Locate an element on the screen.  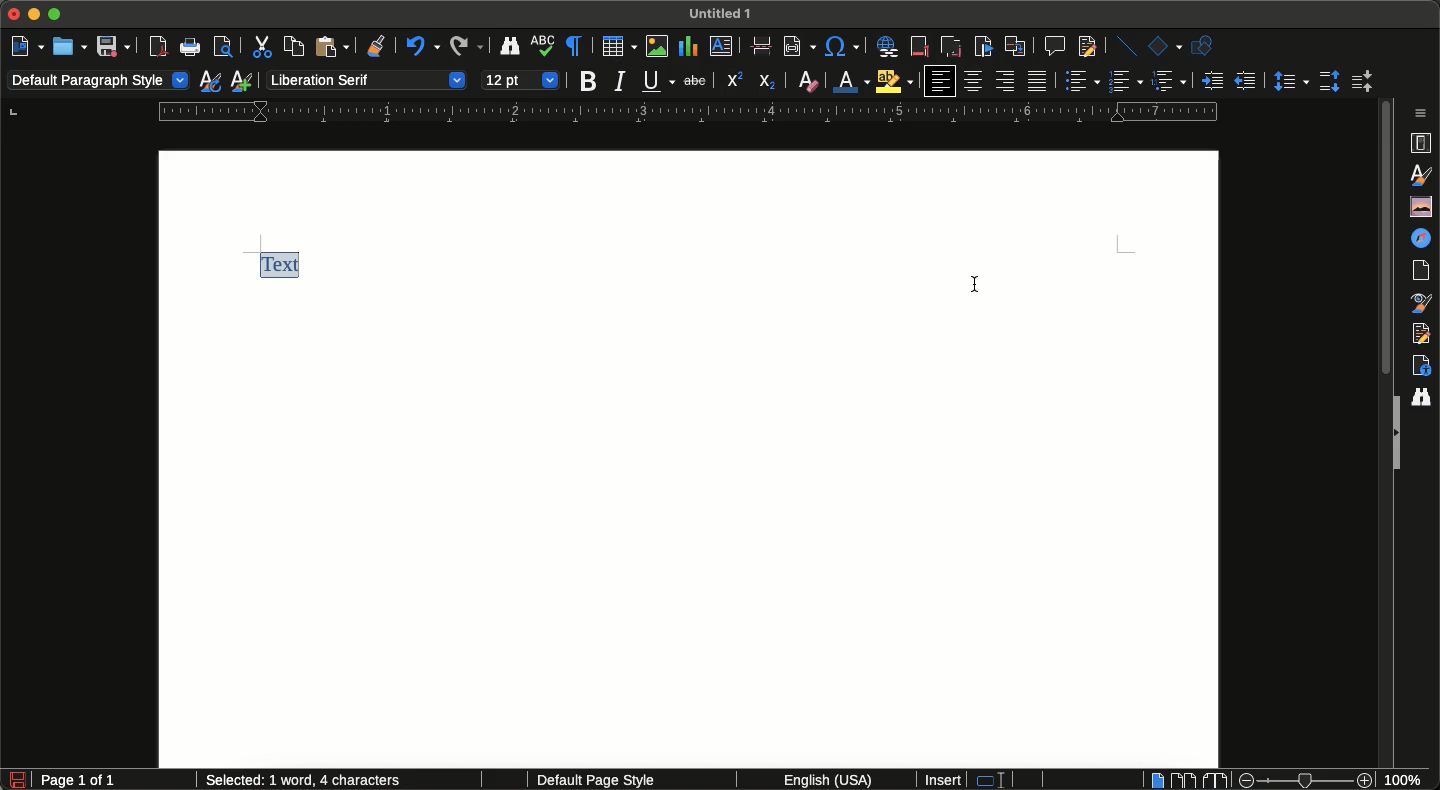
Italics is located at coordinates (620, 82).